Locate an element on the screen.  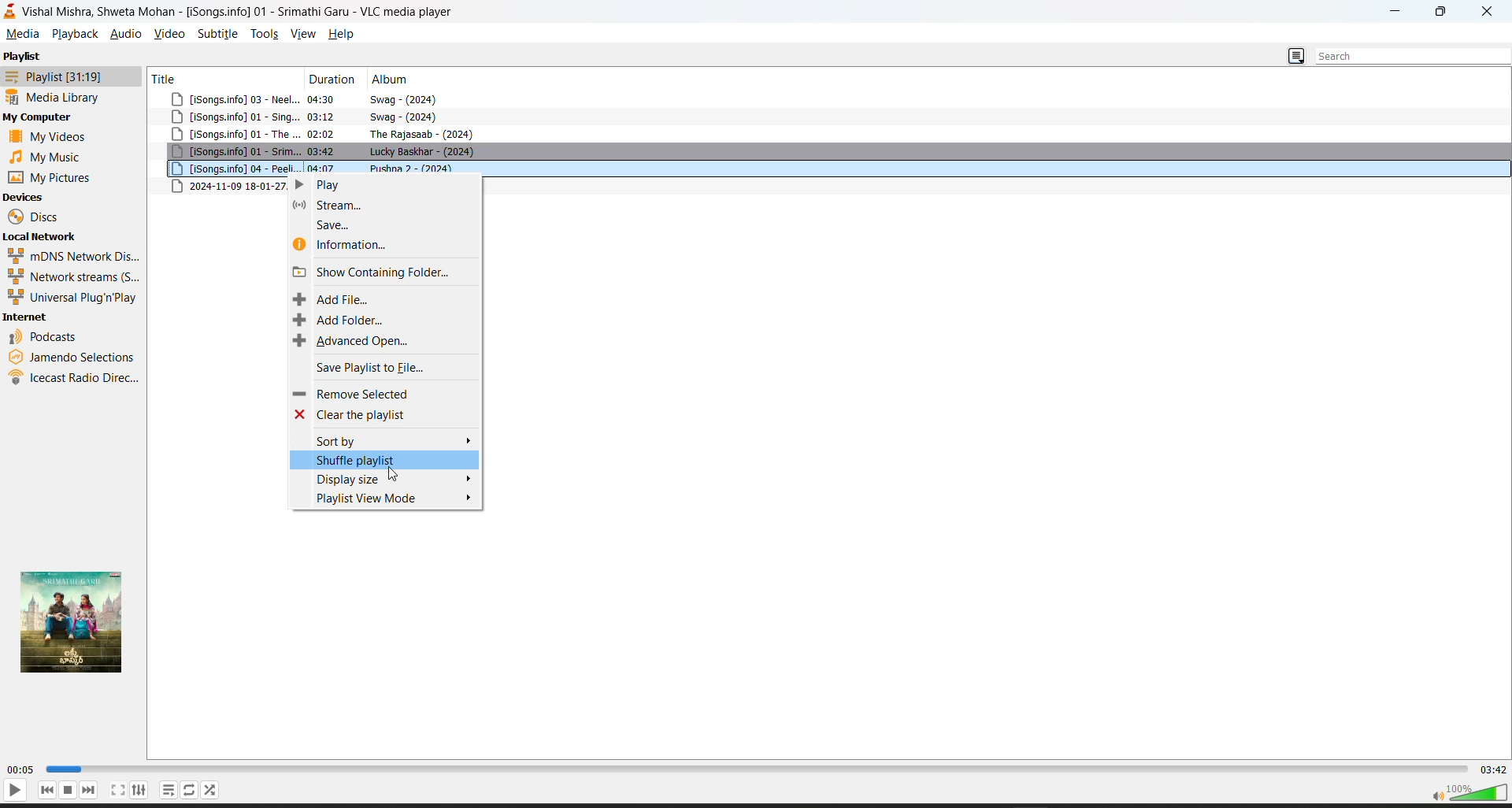
my computer is located at coordinates (46, 118).